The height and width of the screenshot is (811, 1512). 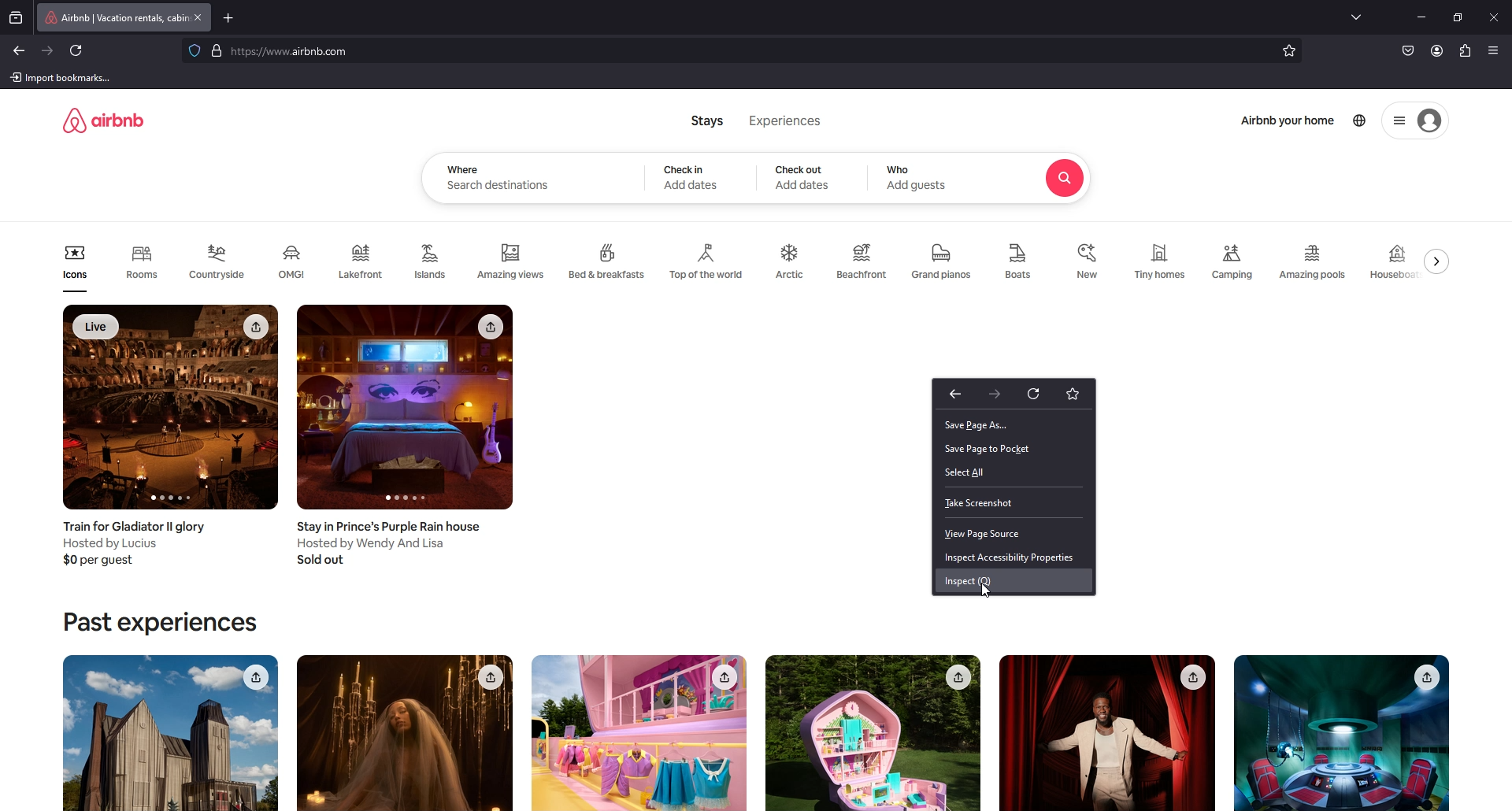 What do you see at coordinates (1395, 261) in the screenshot?
I see `houseboat` at bounding box center [1395, 261].